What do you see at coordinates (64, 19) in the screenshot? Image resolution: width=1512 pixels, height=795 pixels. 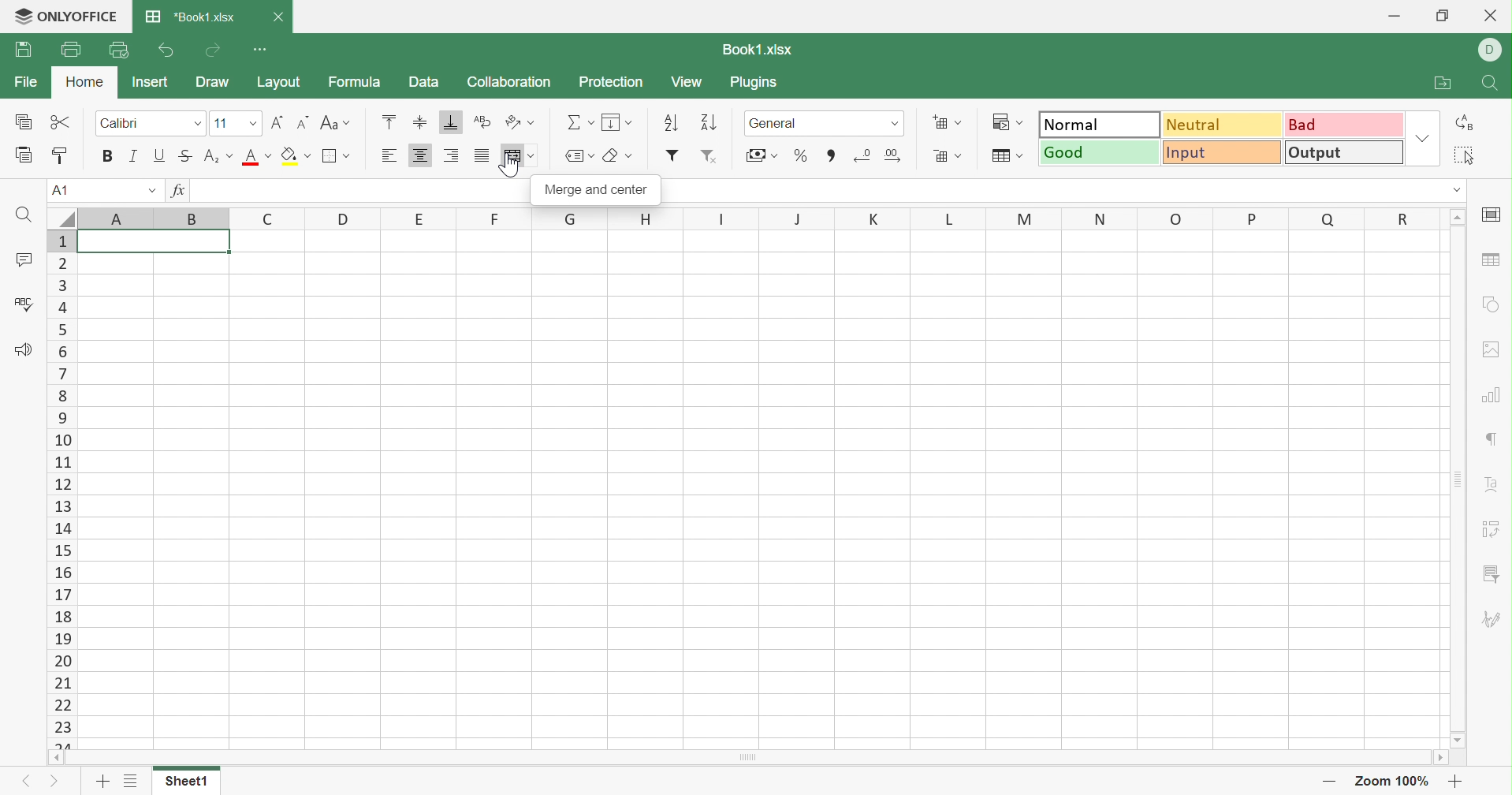 I see `ONLYOFFICE` at bounding box center [64, 19].